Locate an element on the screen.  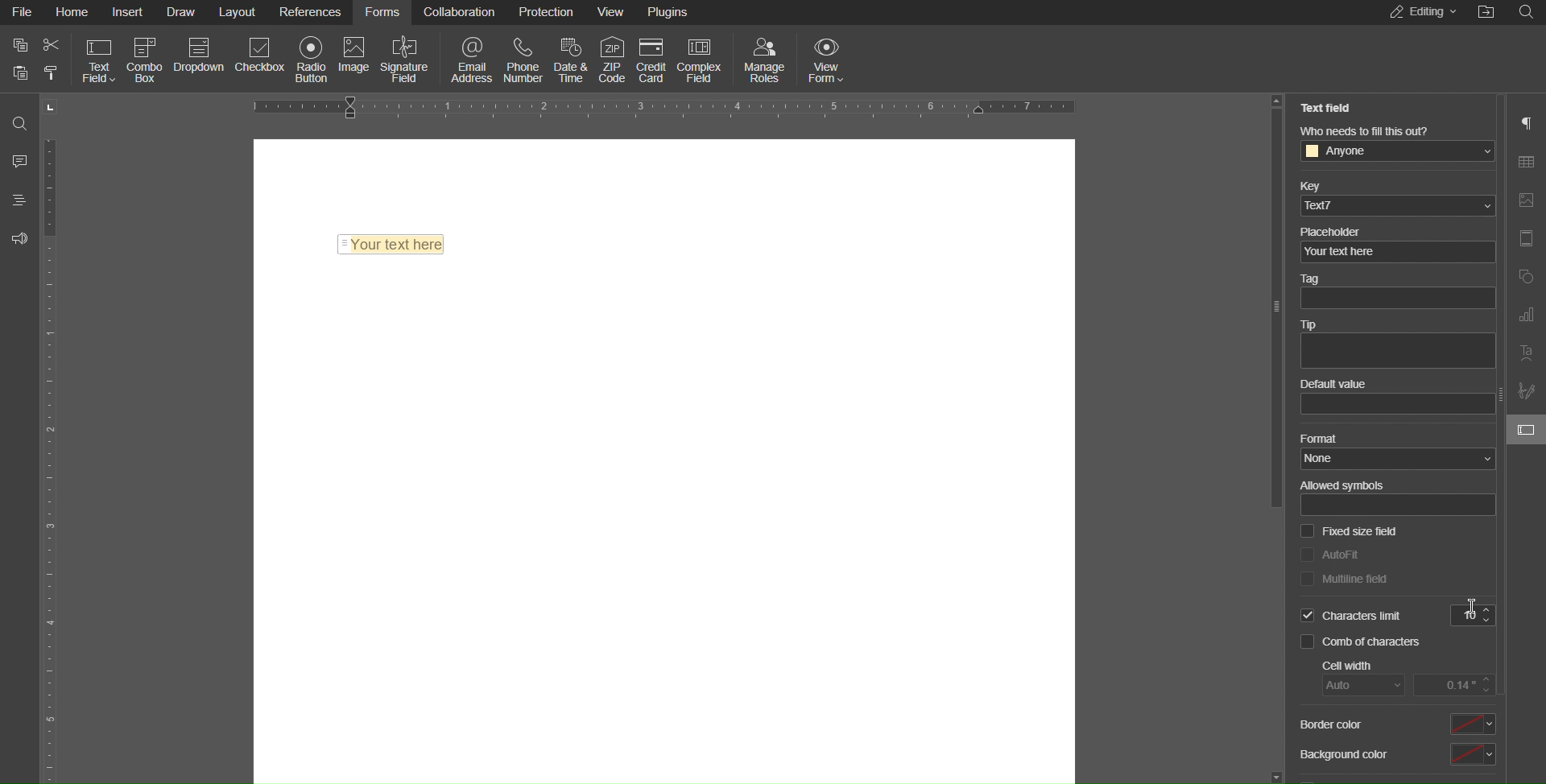
Email Address is located at coordinates (468, 57).